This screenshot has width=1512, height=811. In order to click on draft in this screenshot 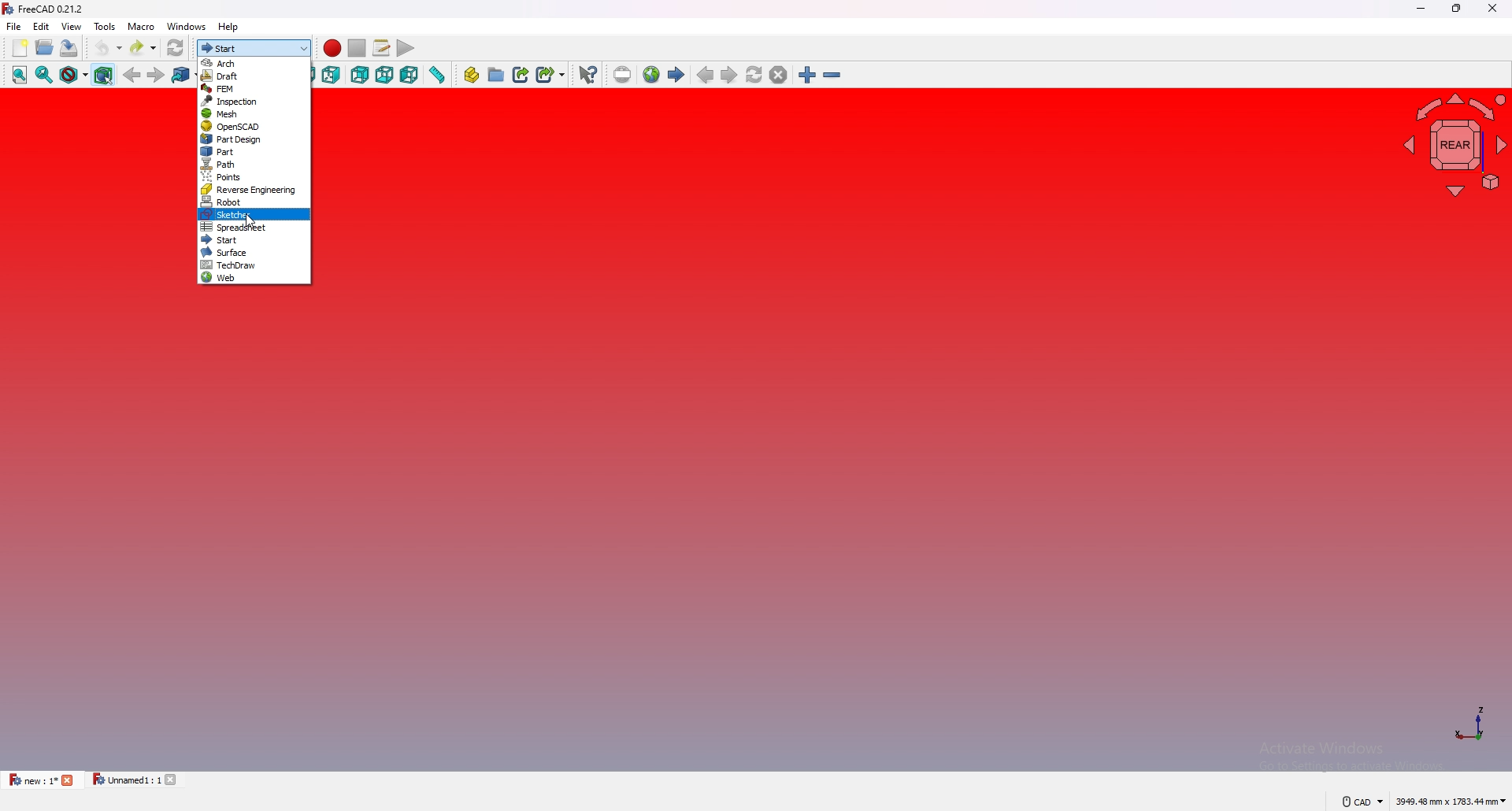, I will do `click(255, 75)`.